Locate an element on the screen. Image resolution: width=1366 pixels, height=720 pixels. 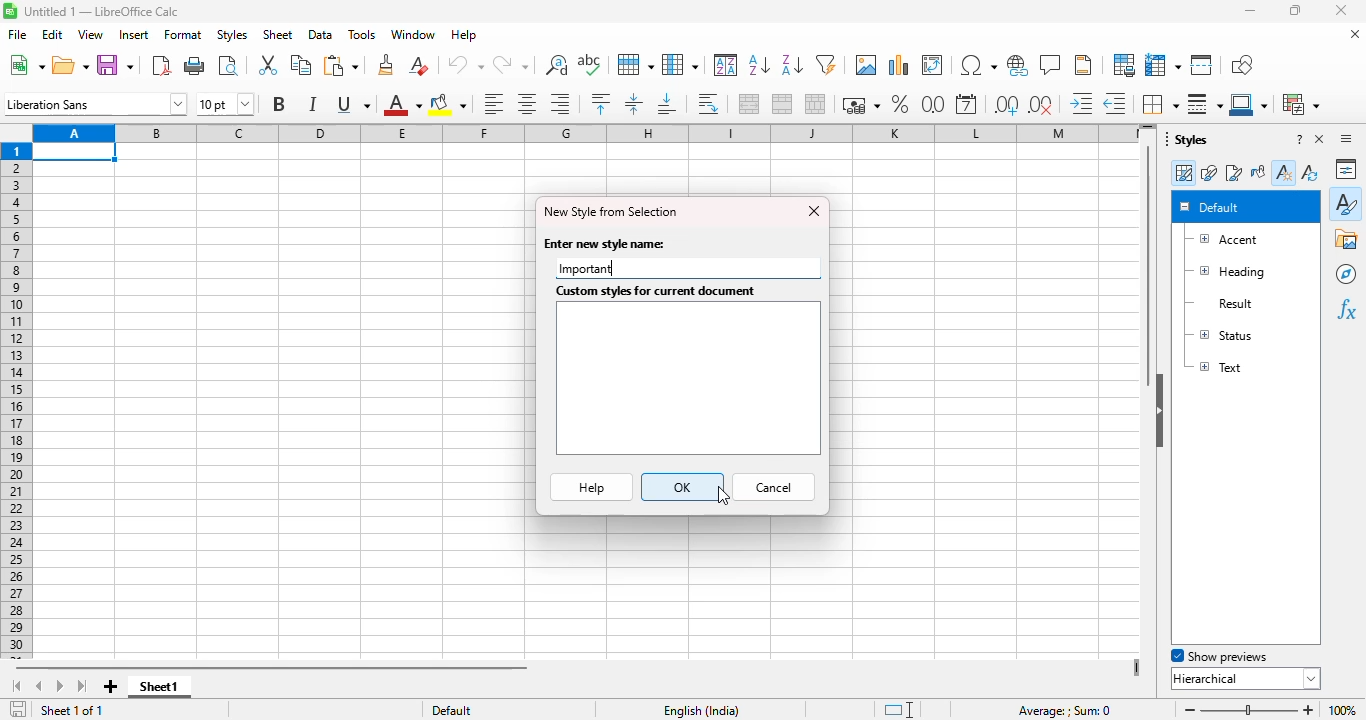
OK is located at coordinates (683, 487).